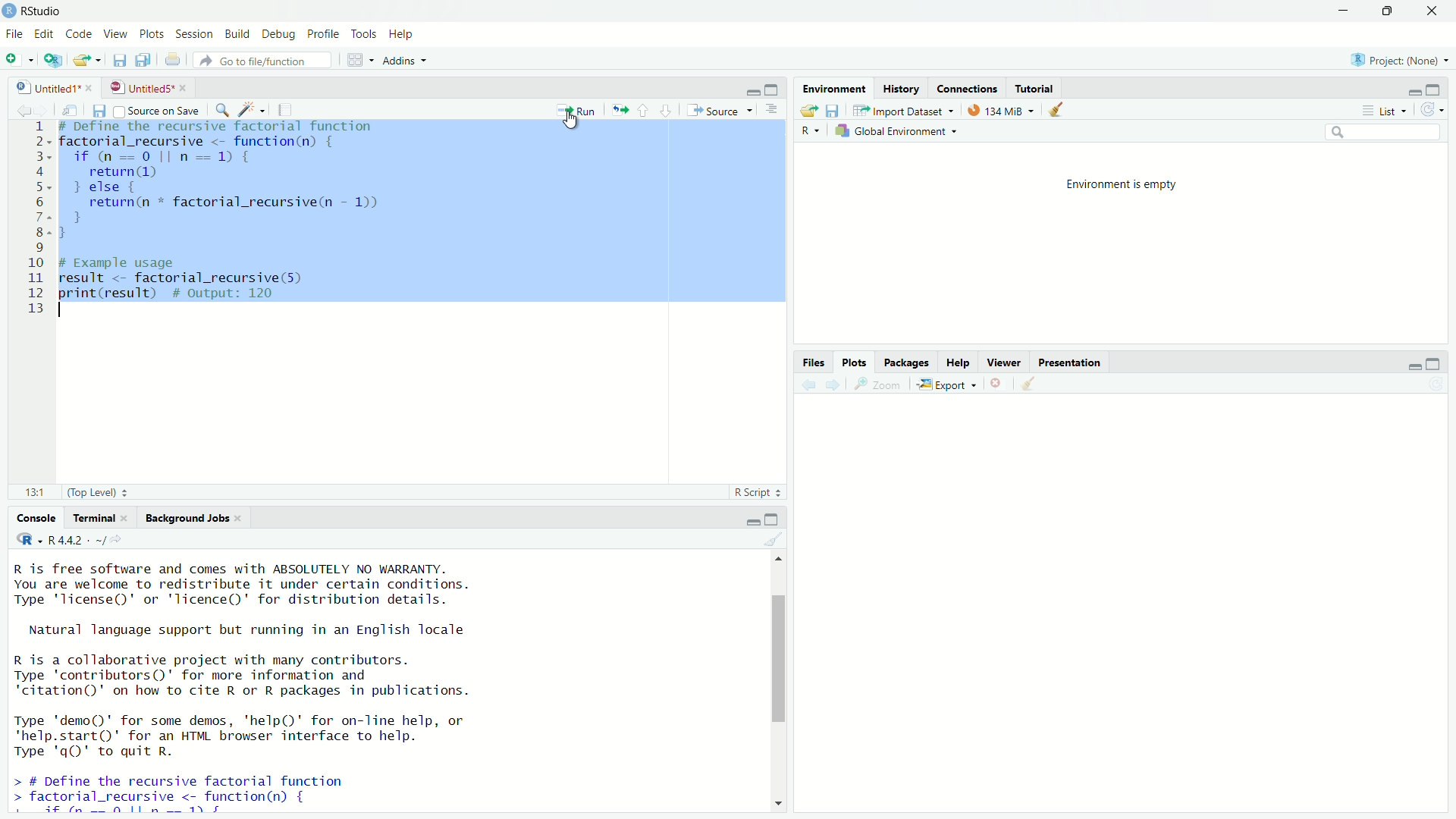 Image resolution: width=1456 pixels, height=819 pixels. I want to click on View the current working directory, so click(118, 538).